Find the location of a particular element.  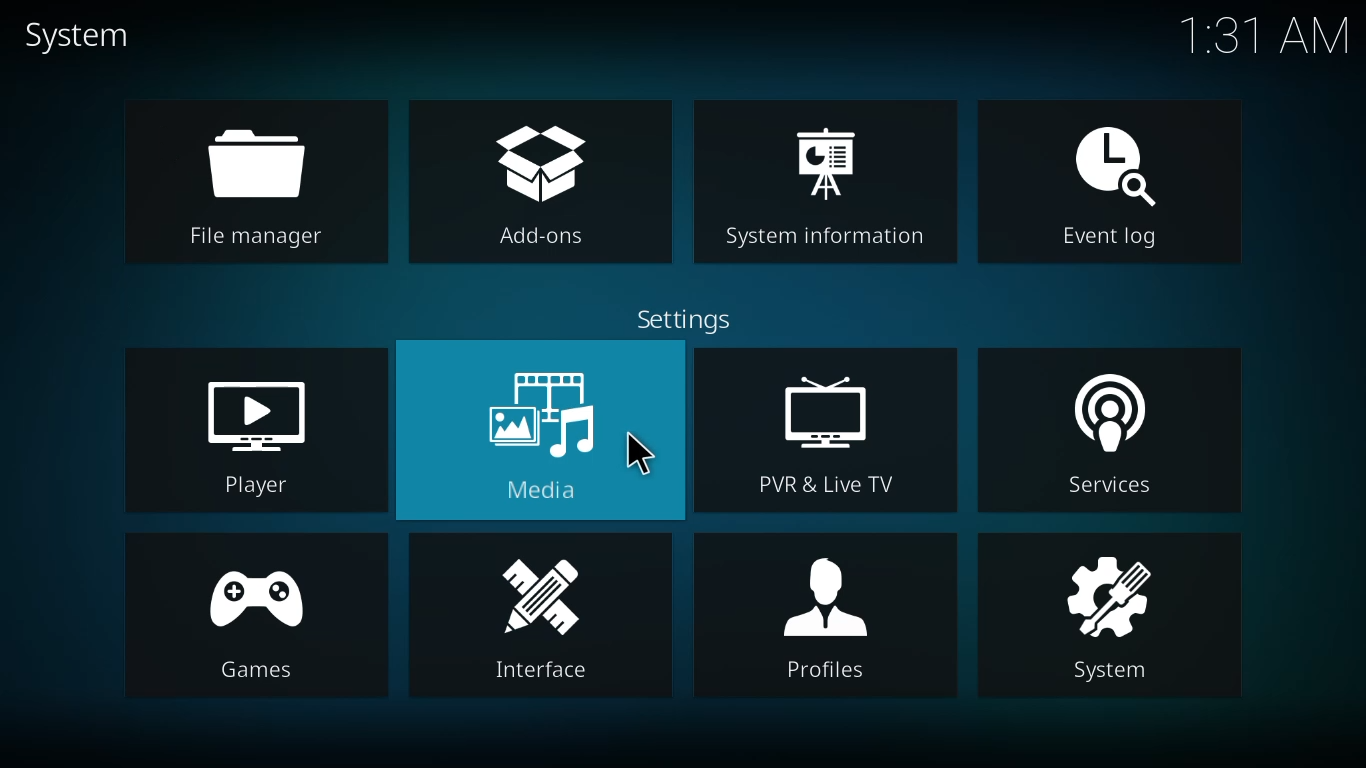

time is located at coordinates (1261, 36).